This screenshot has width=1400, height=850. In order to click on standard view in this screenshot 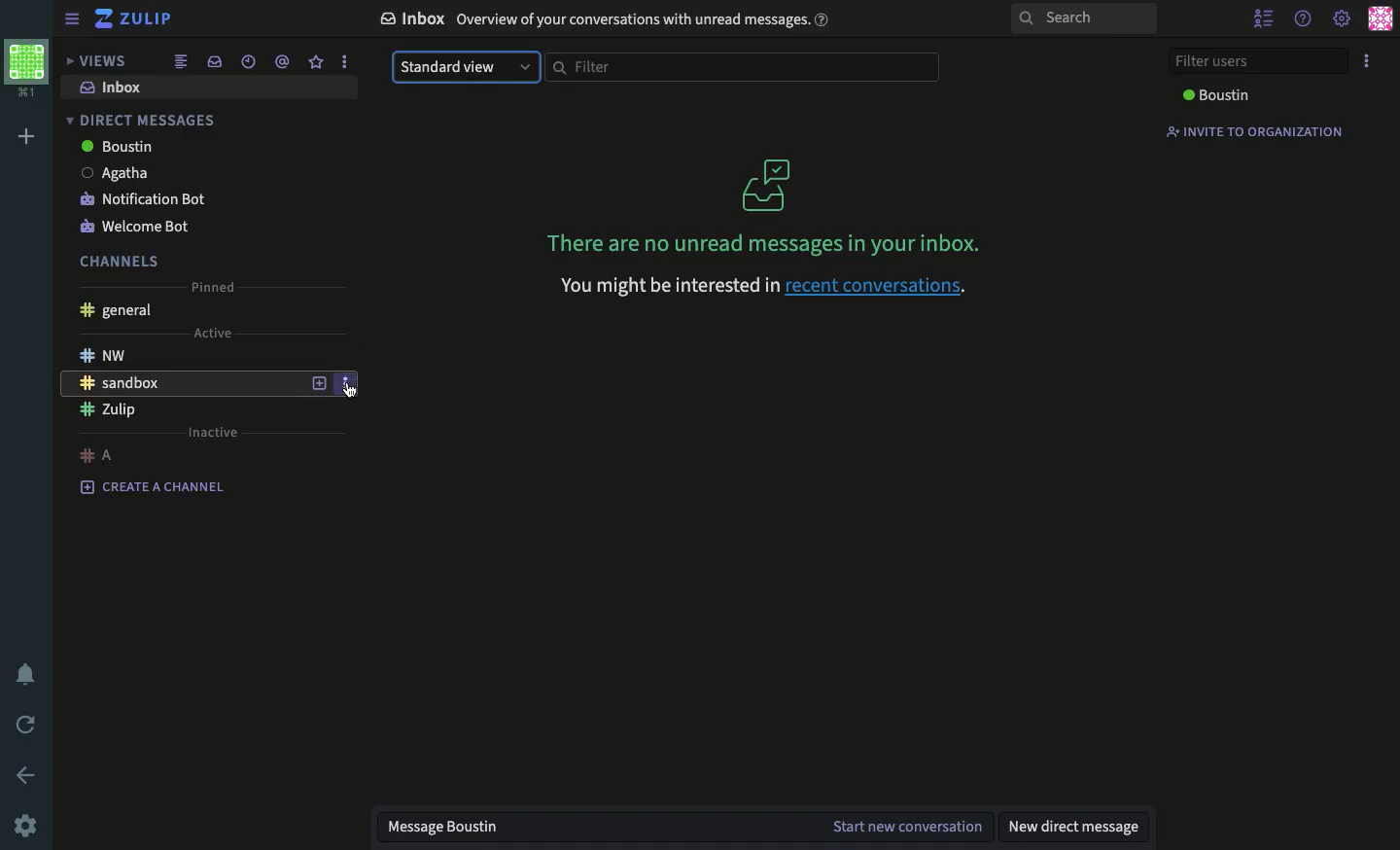, I will do `click(467, 67)`.